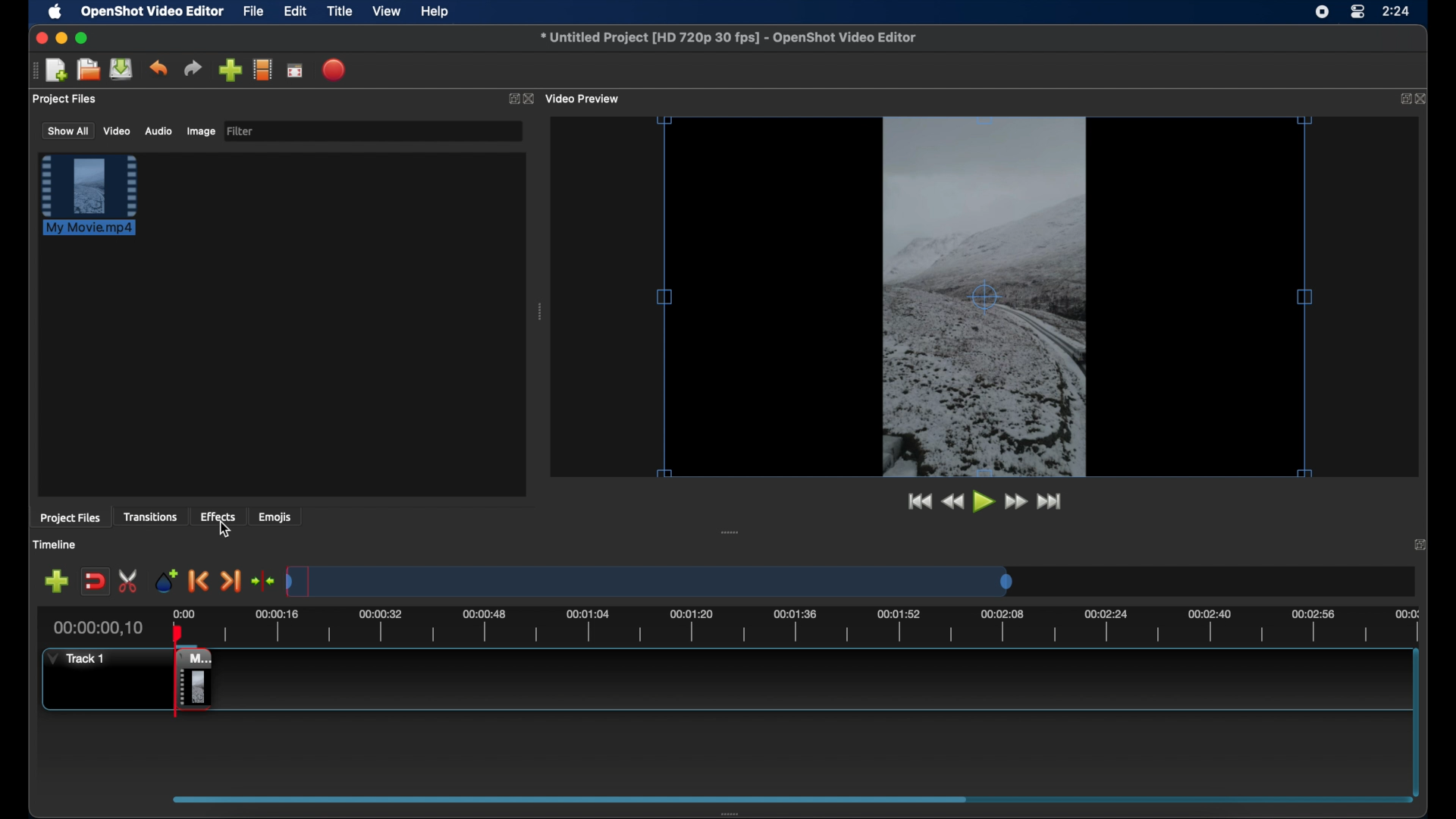  I want to click on redo, so click(193, 68).